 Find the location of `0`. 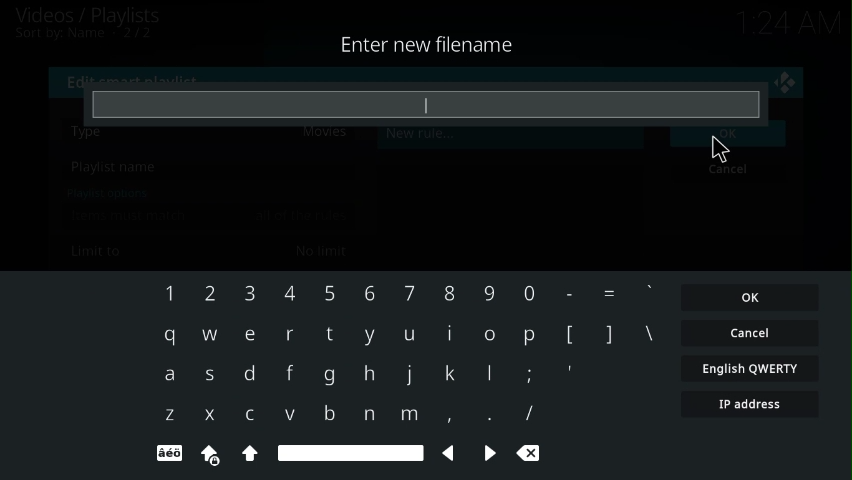

0 is located at coordinates (529, 294).